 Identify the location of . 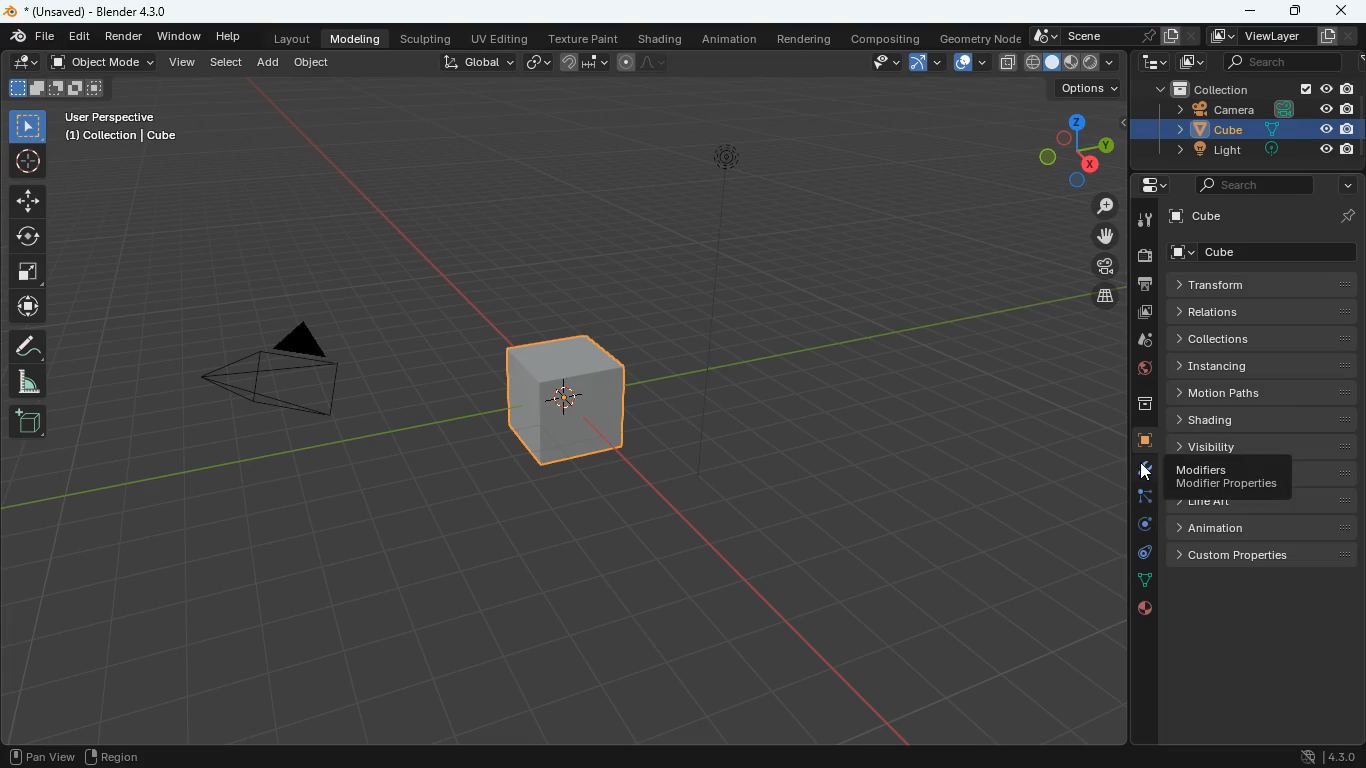
(1345, 214).